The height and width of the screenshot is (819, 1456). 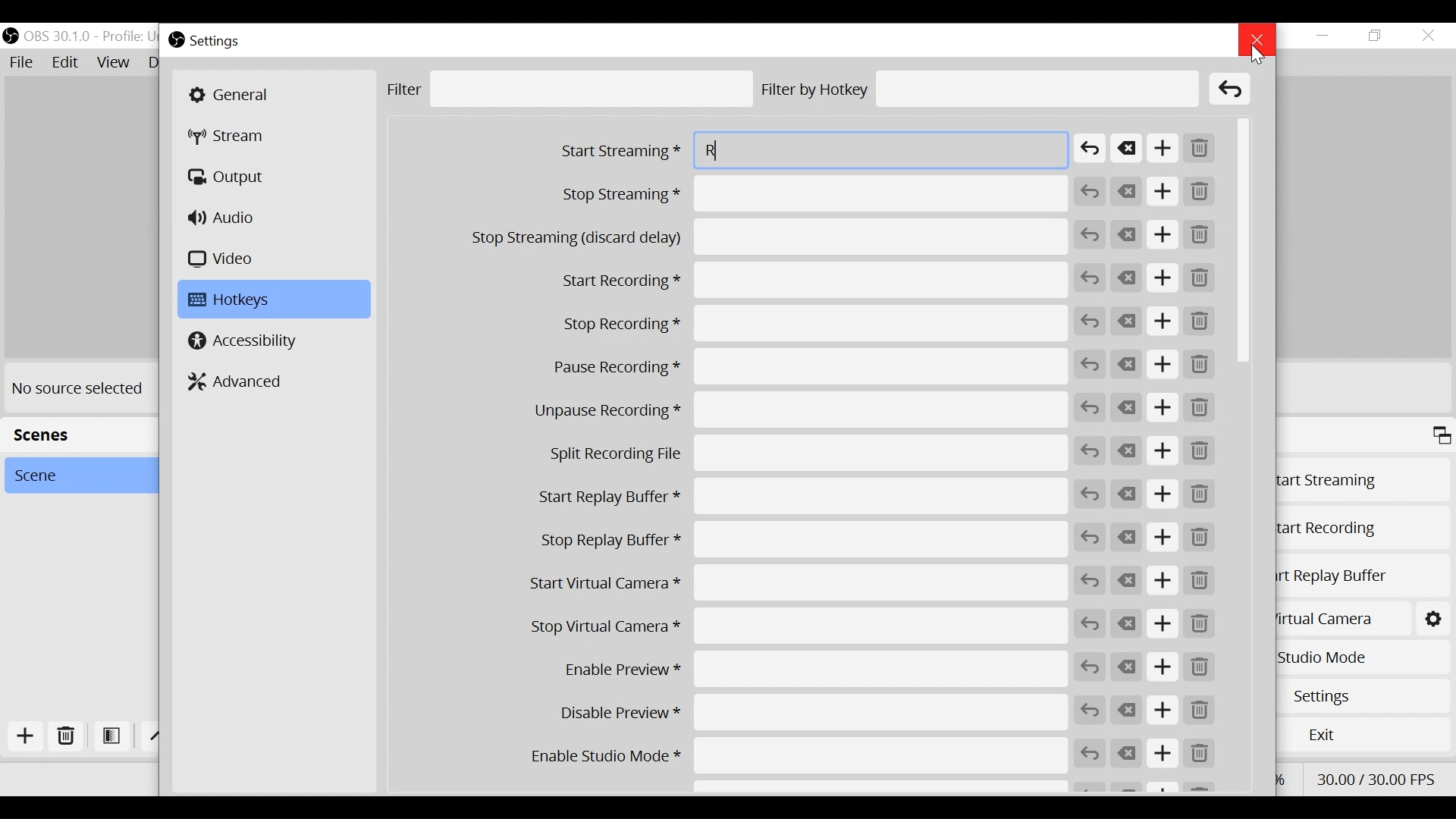 I want to click on Stream, so click(x=231, y=136).